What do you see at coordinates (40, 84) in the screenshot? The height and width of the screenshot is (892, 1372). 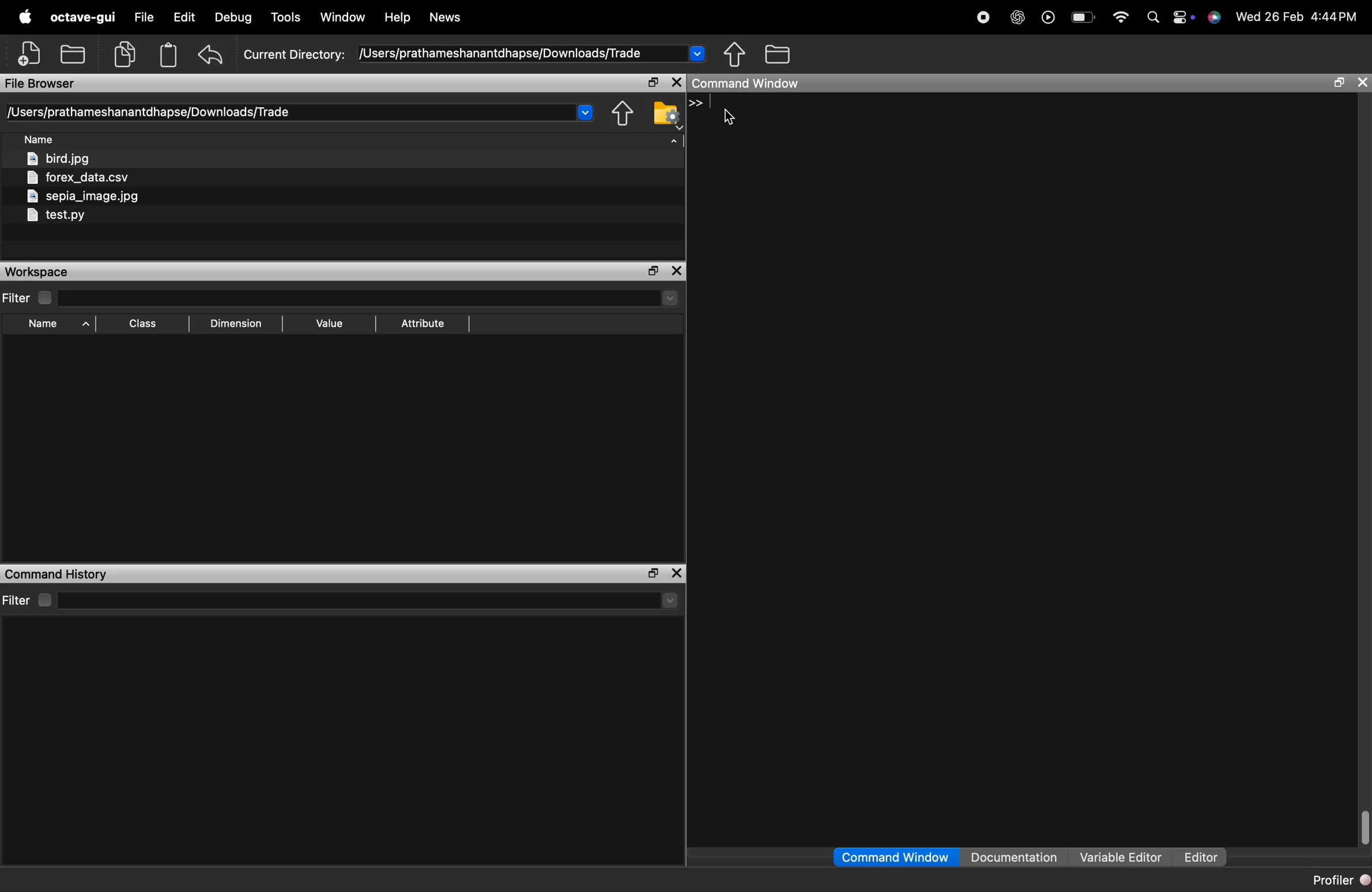 I see `File Browser
Bi ini. 6` at bounding box center [40, 84].